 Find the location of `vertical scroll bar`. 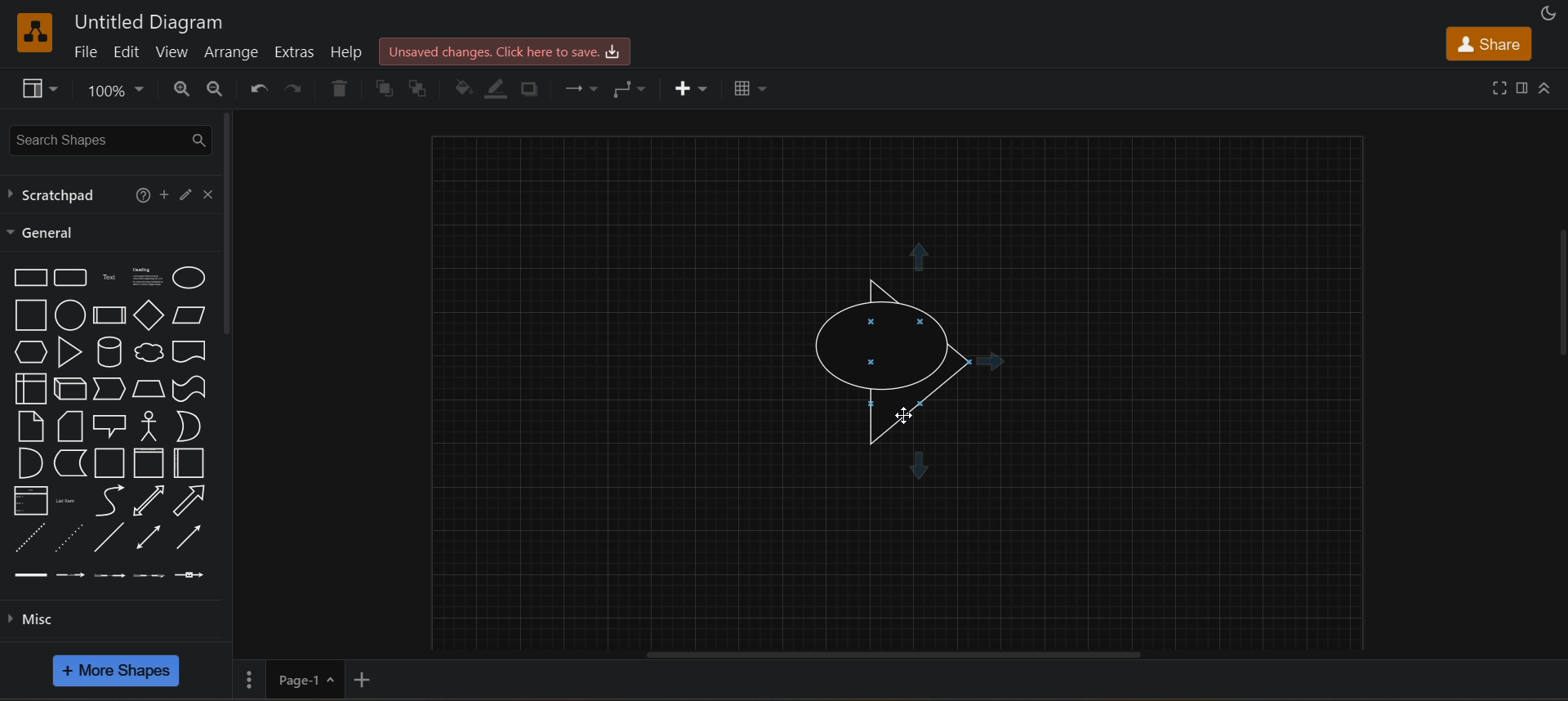

vertical scroll bar is located at coordinates (233, 223).